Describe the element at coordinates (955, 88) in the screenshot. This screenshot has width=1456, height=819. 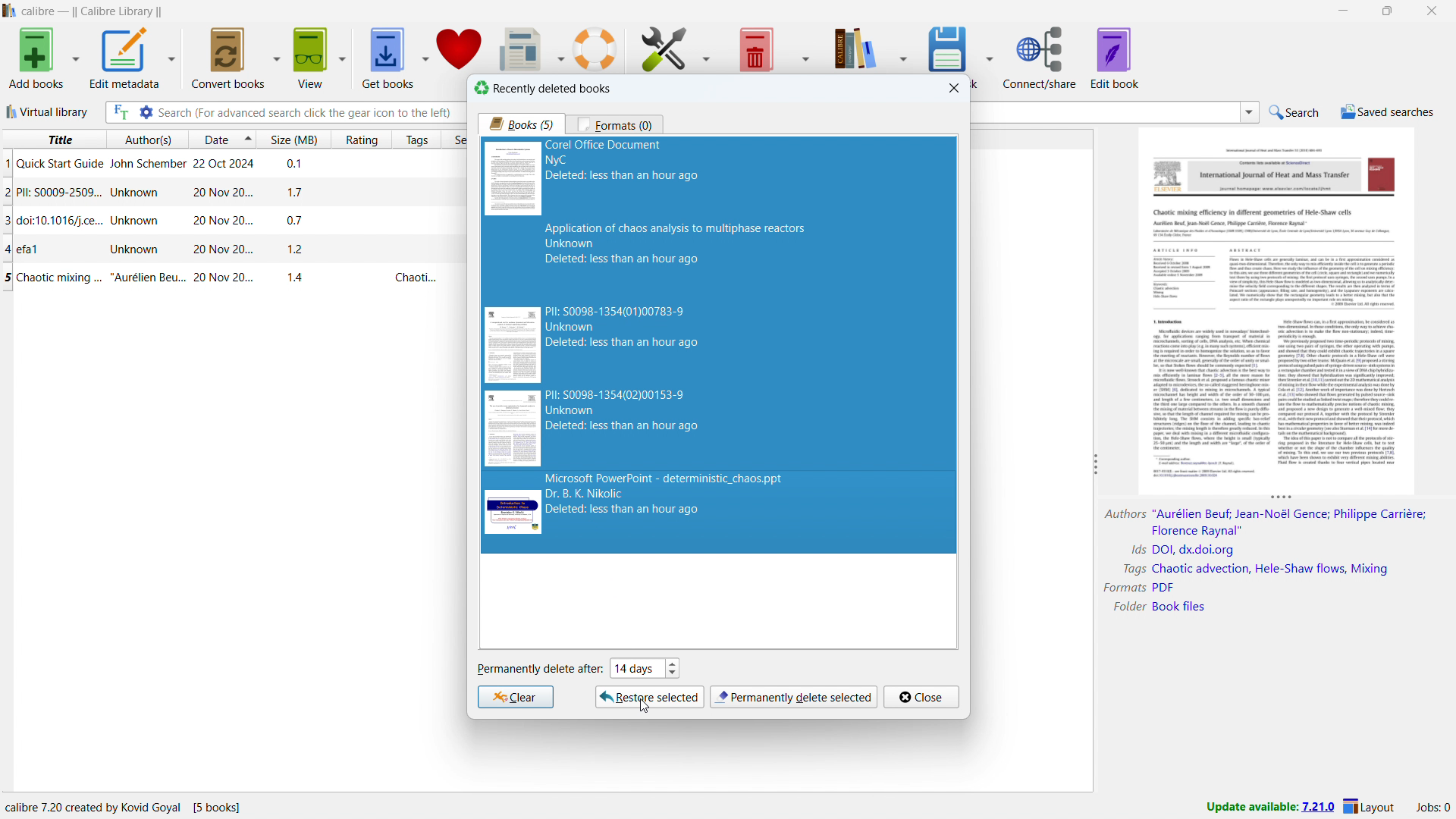
I see `close` at that location.